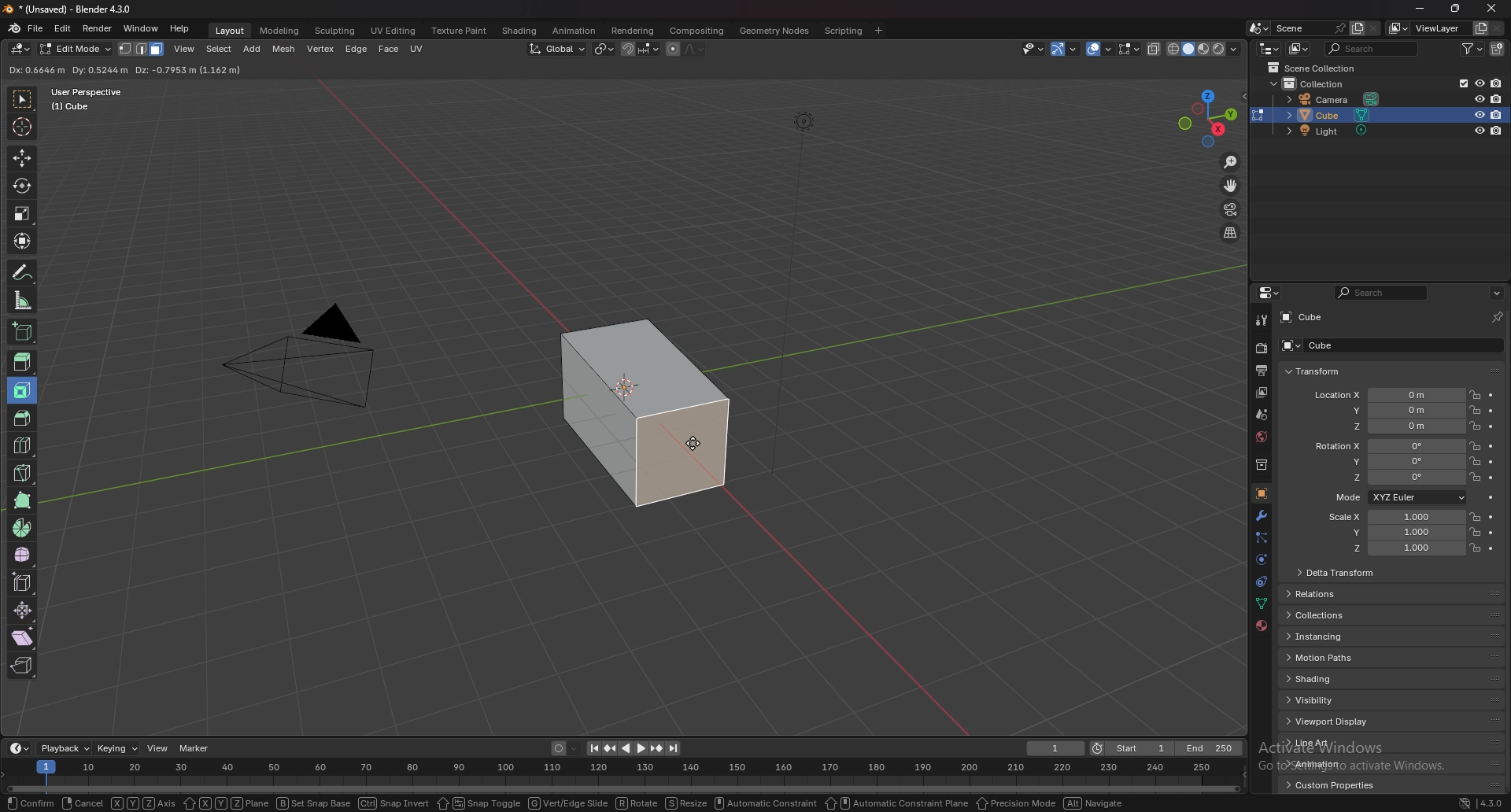 The image size is (1511, 812). Describe the element at coordinates (1313, 372) in the screenshot. I see `transform` at that location.